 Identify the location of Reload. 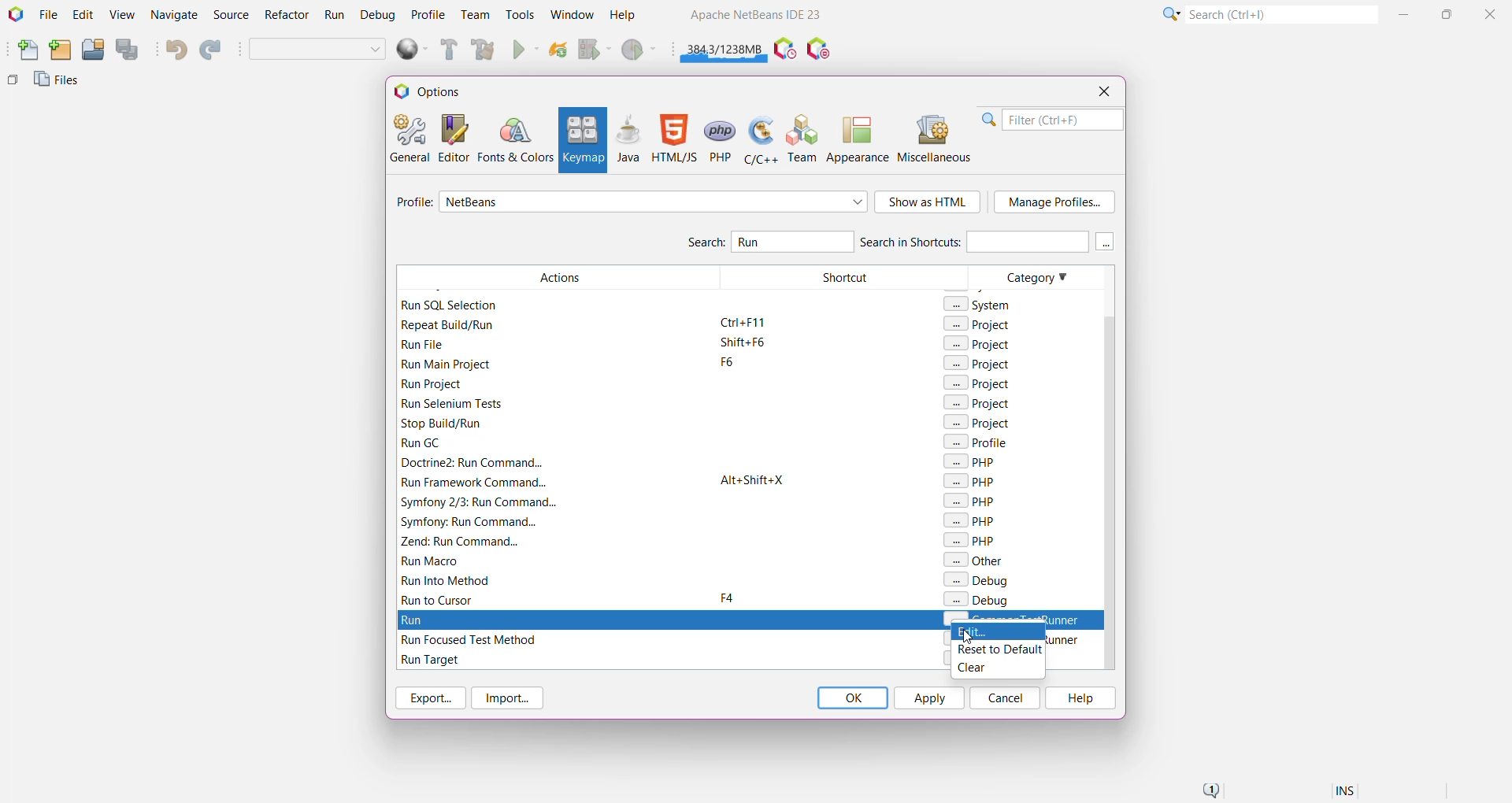
(558, 51).